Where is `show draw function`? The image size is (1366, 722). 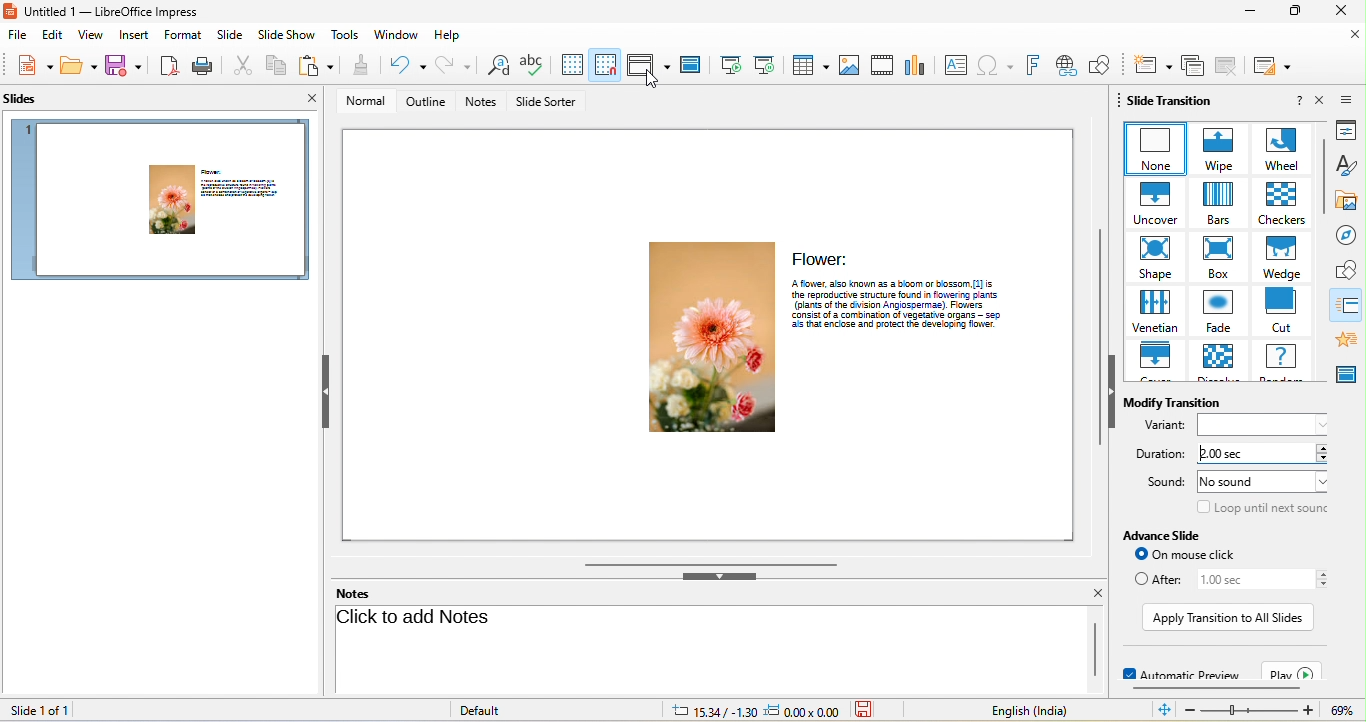 show draw function is located at coordinates (1103, 64).